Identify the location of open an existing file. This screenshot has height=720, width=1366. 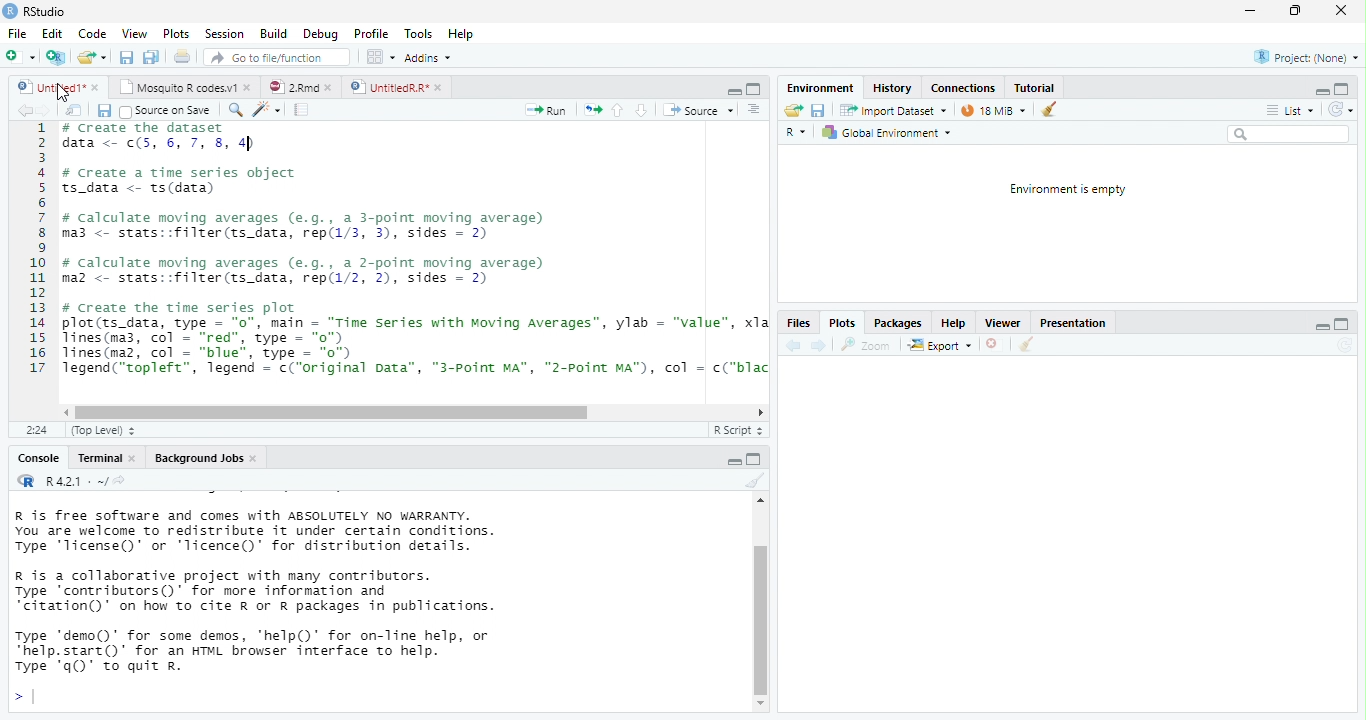
(92, 58).